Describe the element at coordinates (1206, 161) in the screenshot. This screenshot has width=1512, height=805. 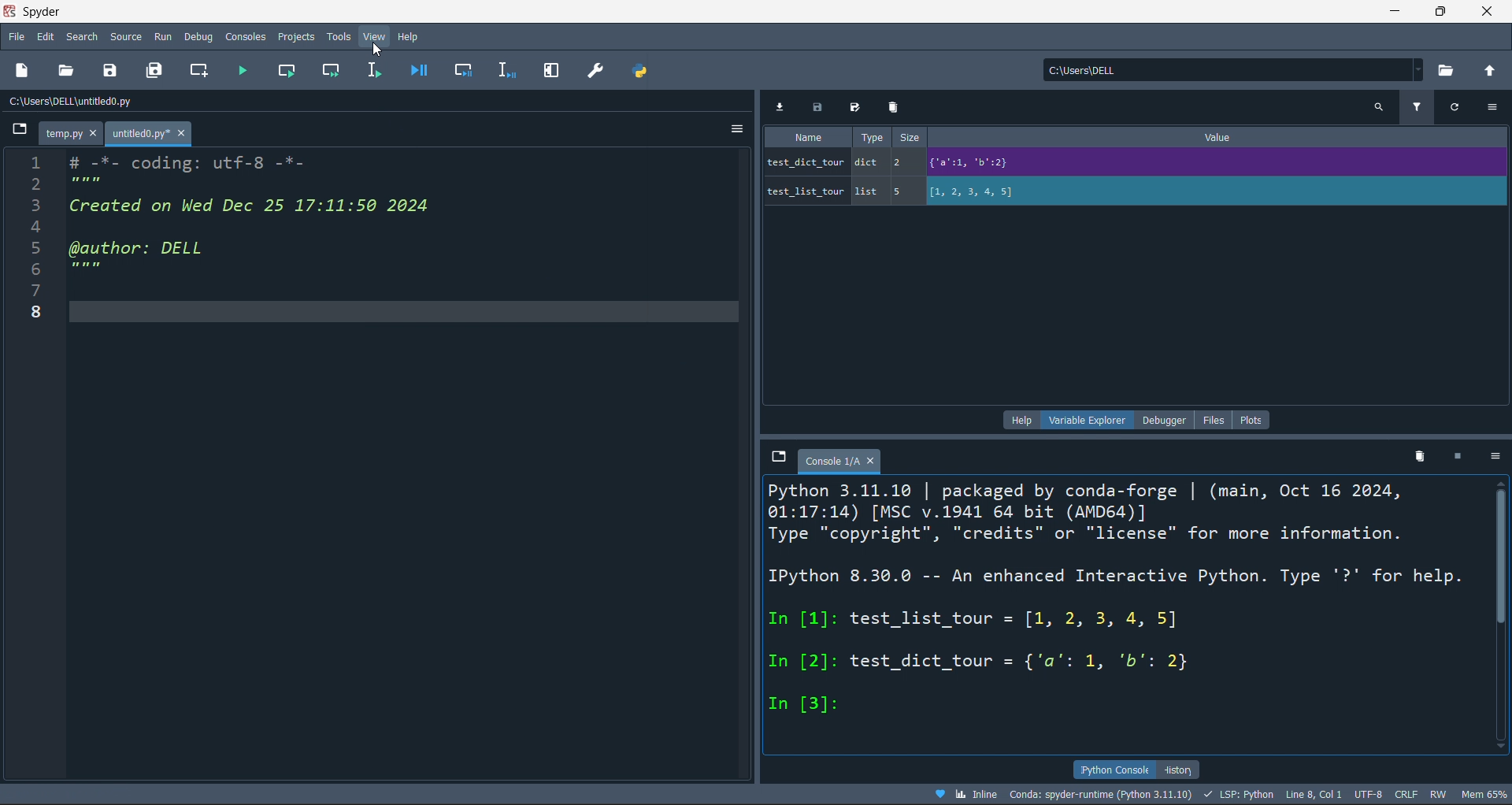
I see `value of variable` at that location.